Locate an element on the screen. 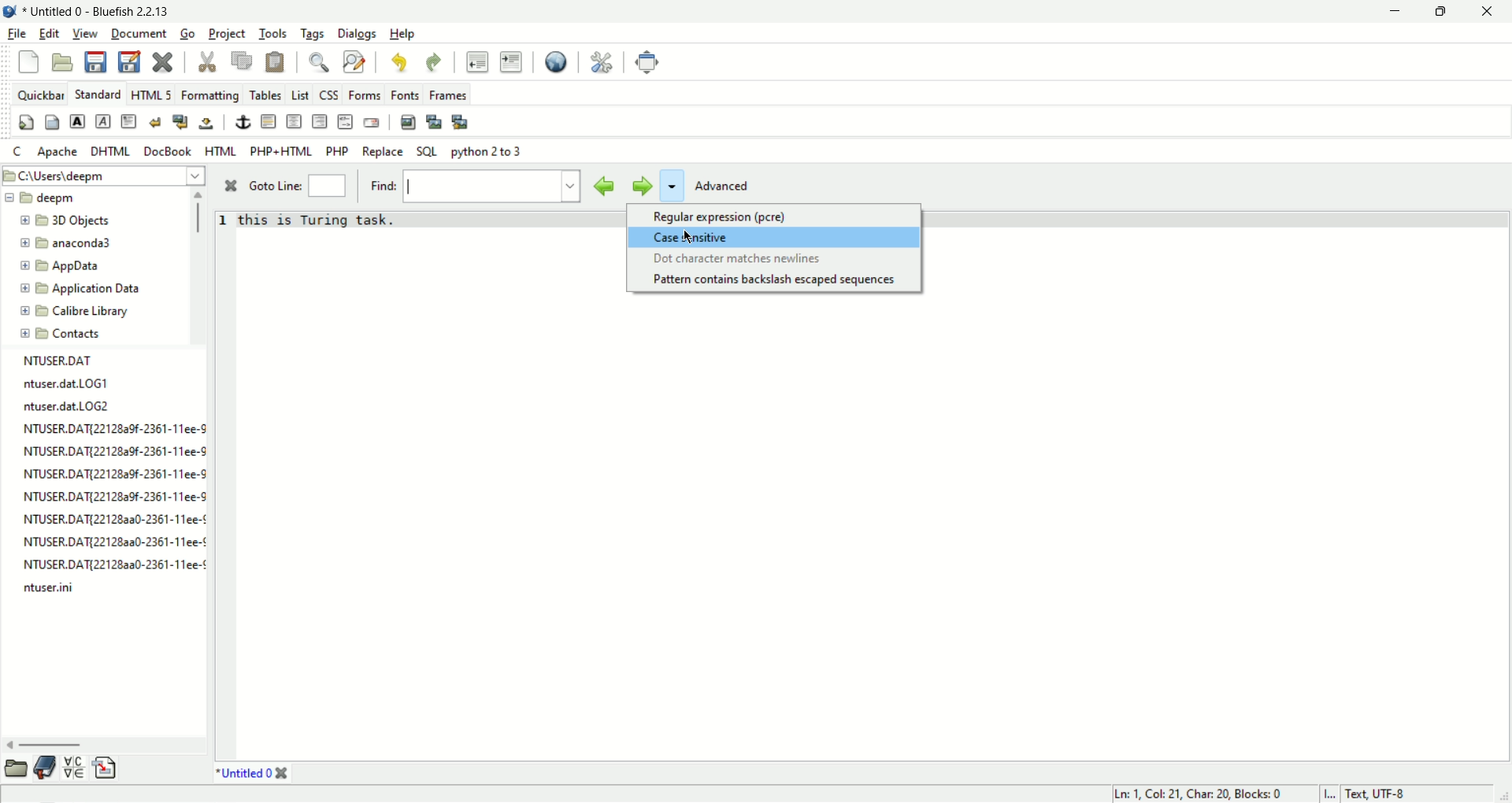 The image size is (1512, 803). close is located at coordinates (165, 64).